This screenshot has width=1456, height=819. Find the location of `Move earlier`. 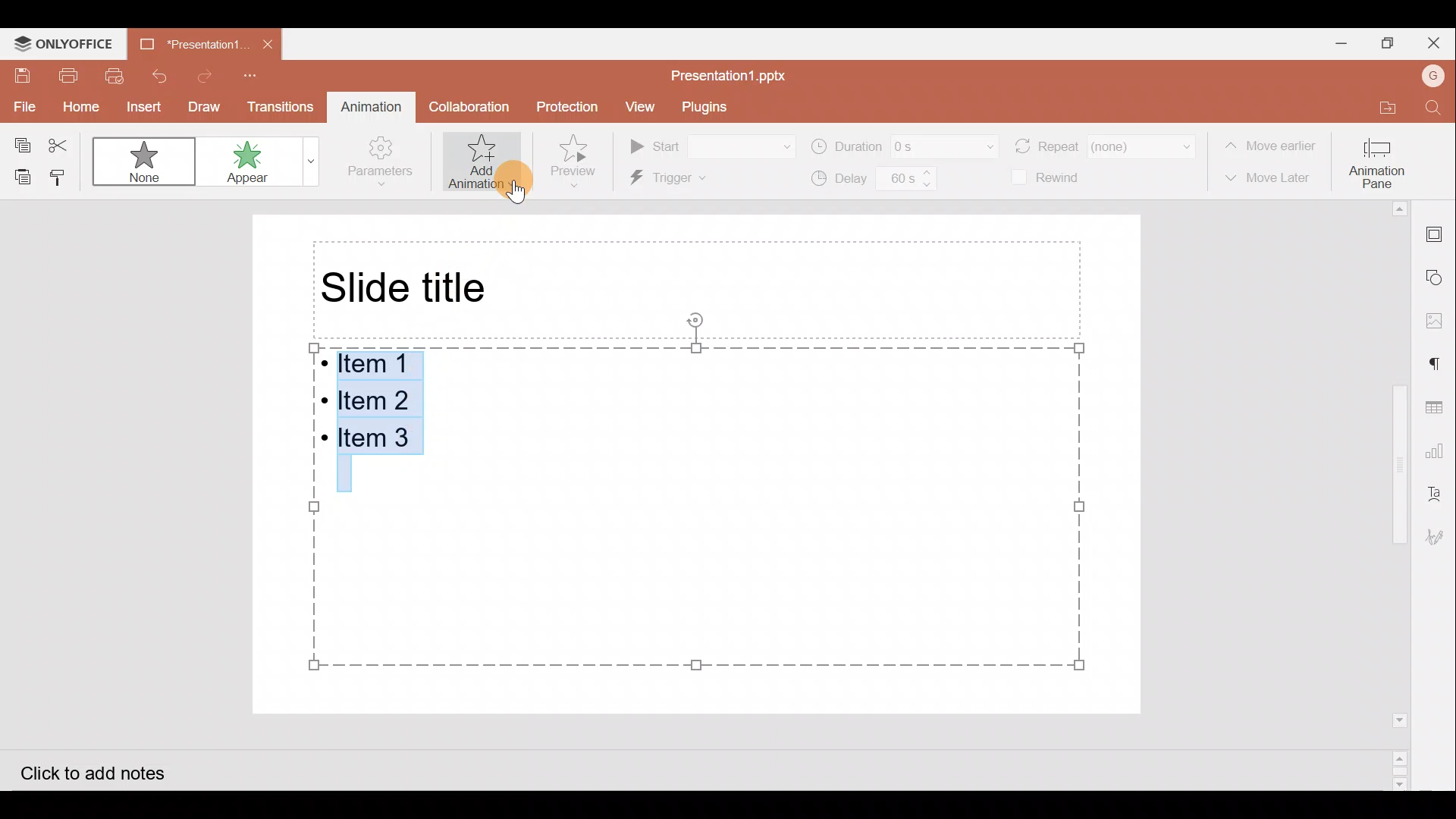

Move earlier is located at coordinates (1271, 142).